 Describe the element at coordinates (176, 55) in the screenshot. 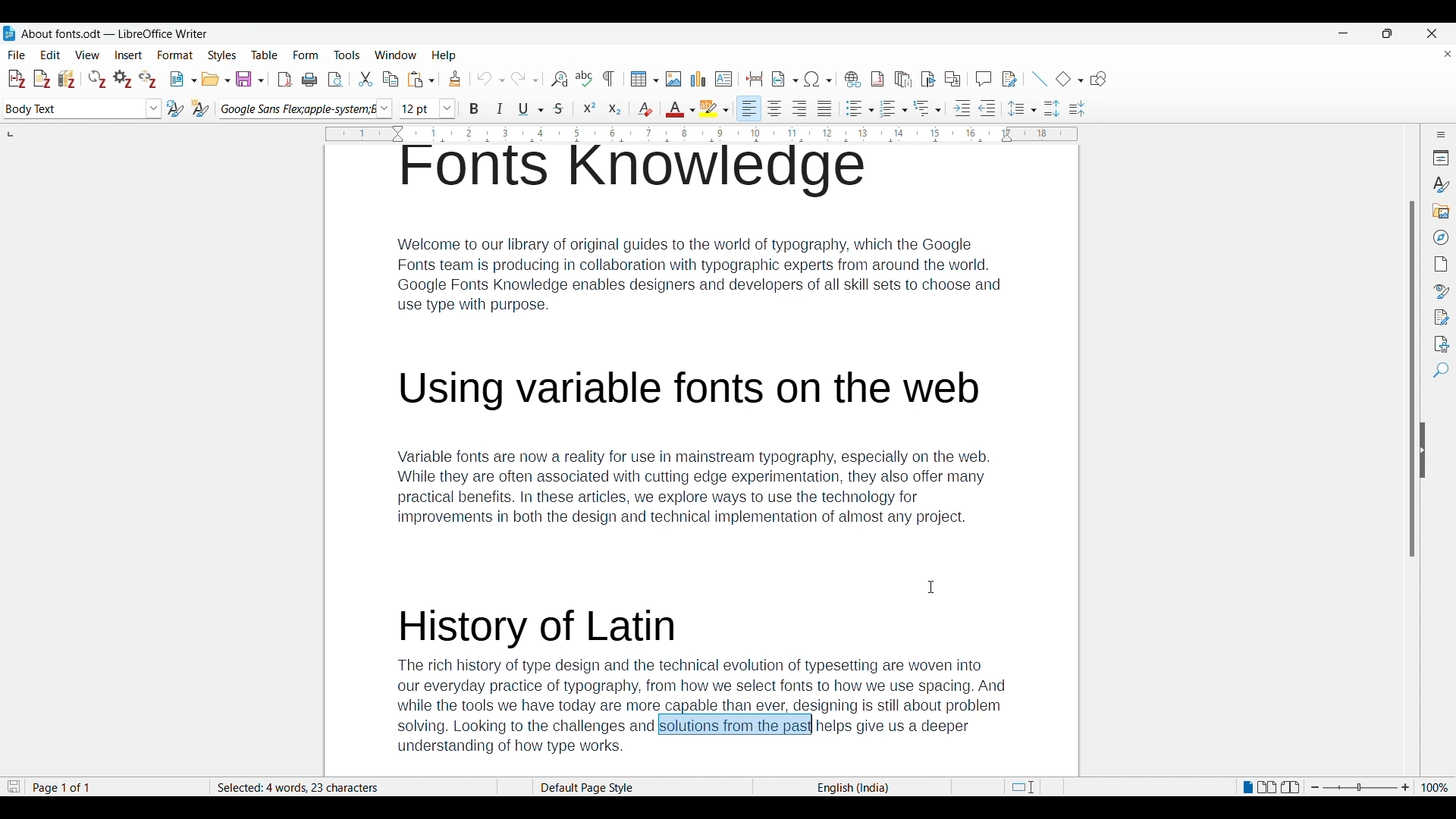

I see `Format menu` at that location.